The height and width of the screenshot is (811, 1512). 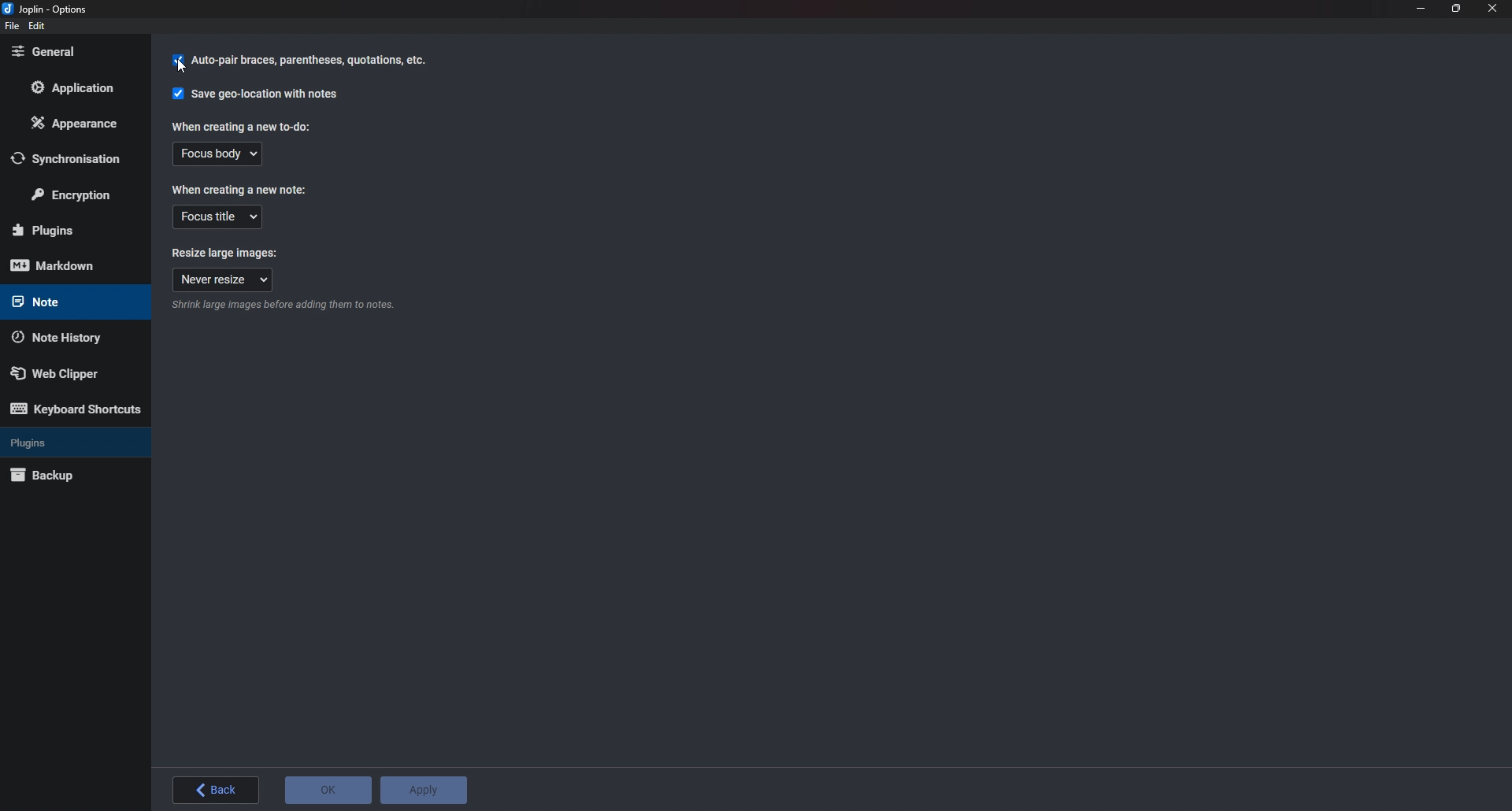 I want to click on Note history, so click(x=66, y=339).